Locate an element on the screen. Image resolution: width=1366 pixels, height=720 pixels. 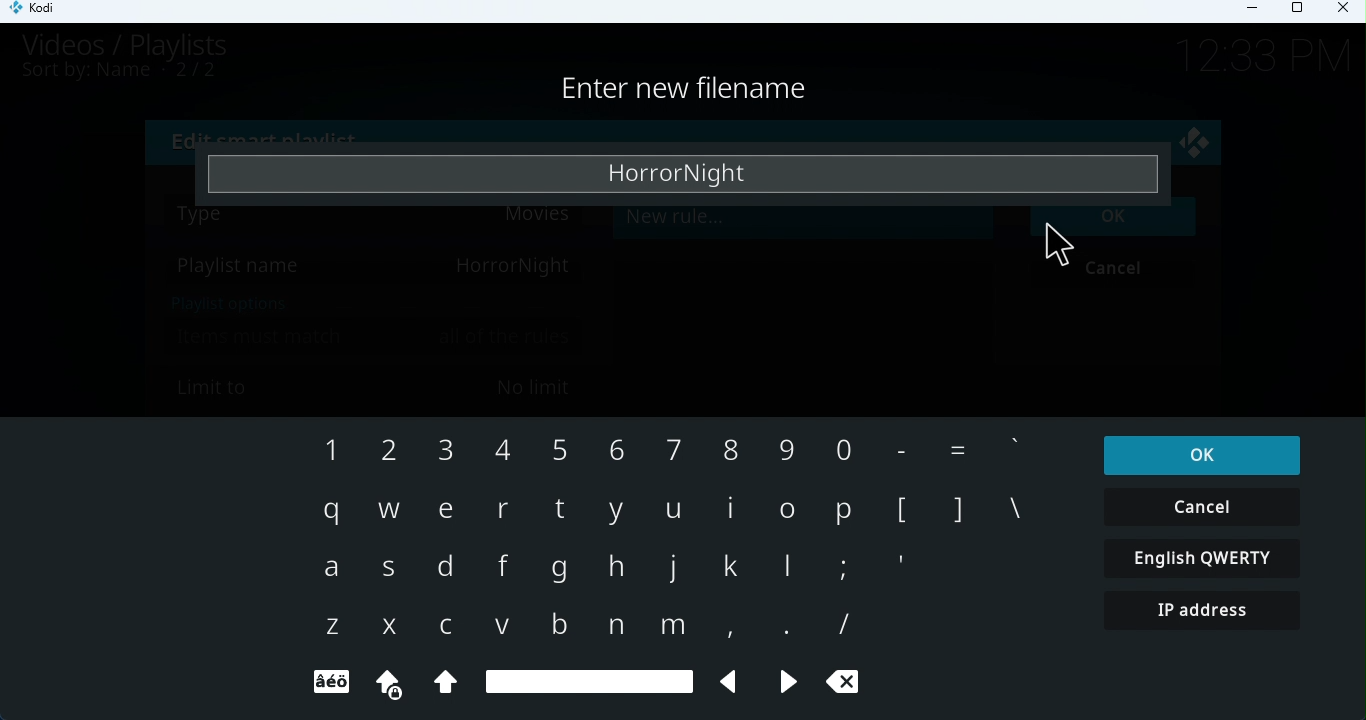
Minimize is located at coordinates (1259, 13).